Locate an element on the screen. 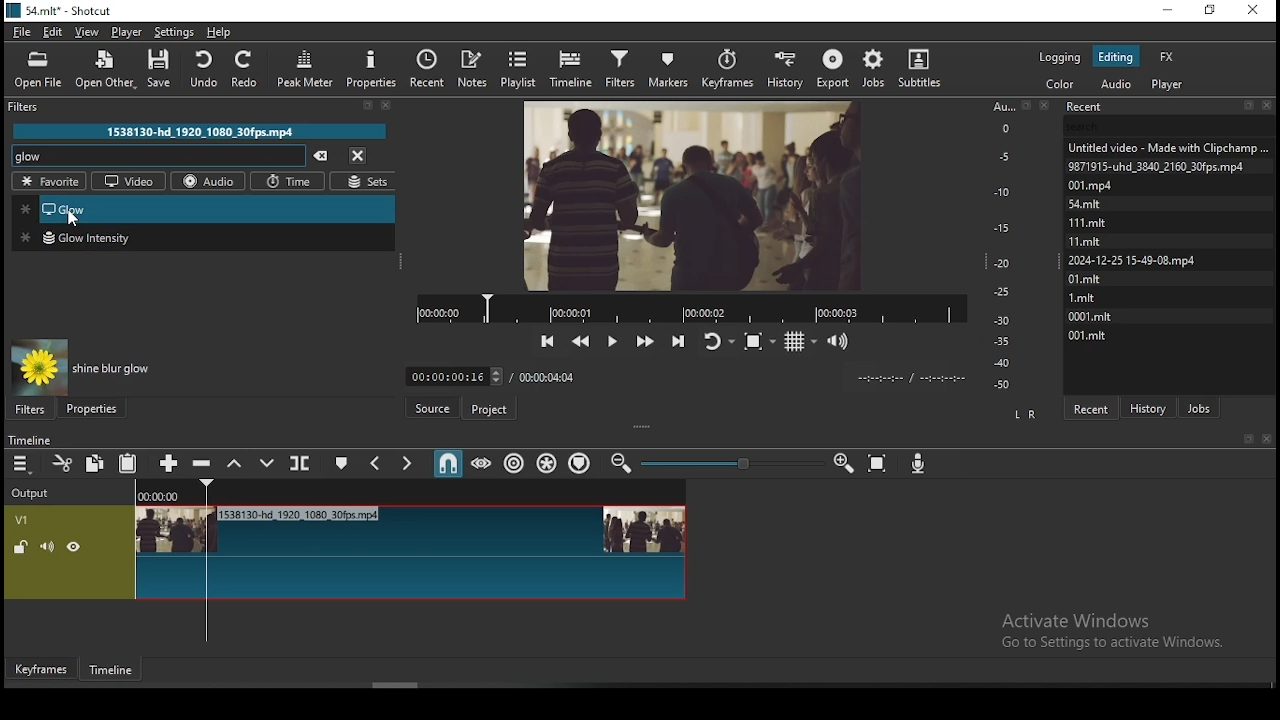 This screenshot has height=720, width=1280. clear search is located at coordinates (320, 157).